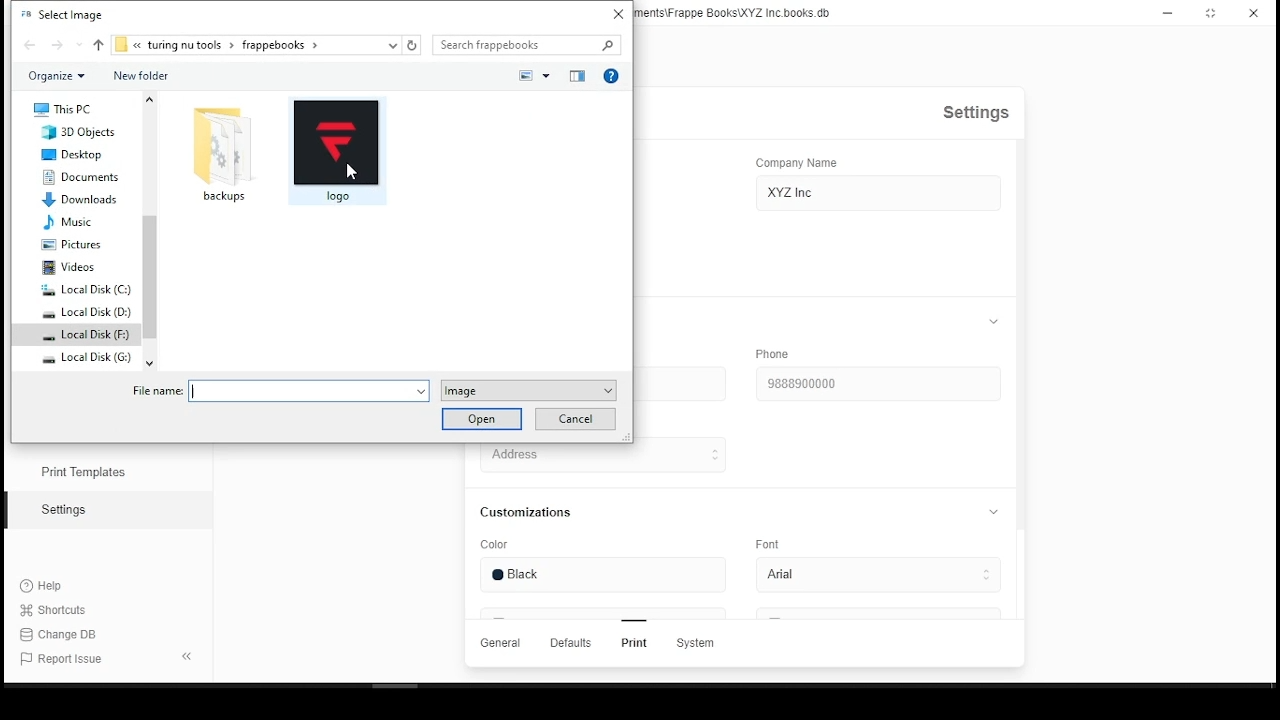 This screenshot has width=1280, height=720. Describe the element at coordinates (337, 152) in the screenshot. I see `logo` at that location.